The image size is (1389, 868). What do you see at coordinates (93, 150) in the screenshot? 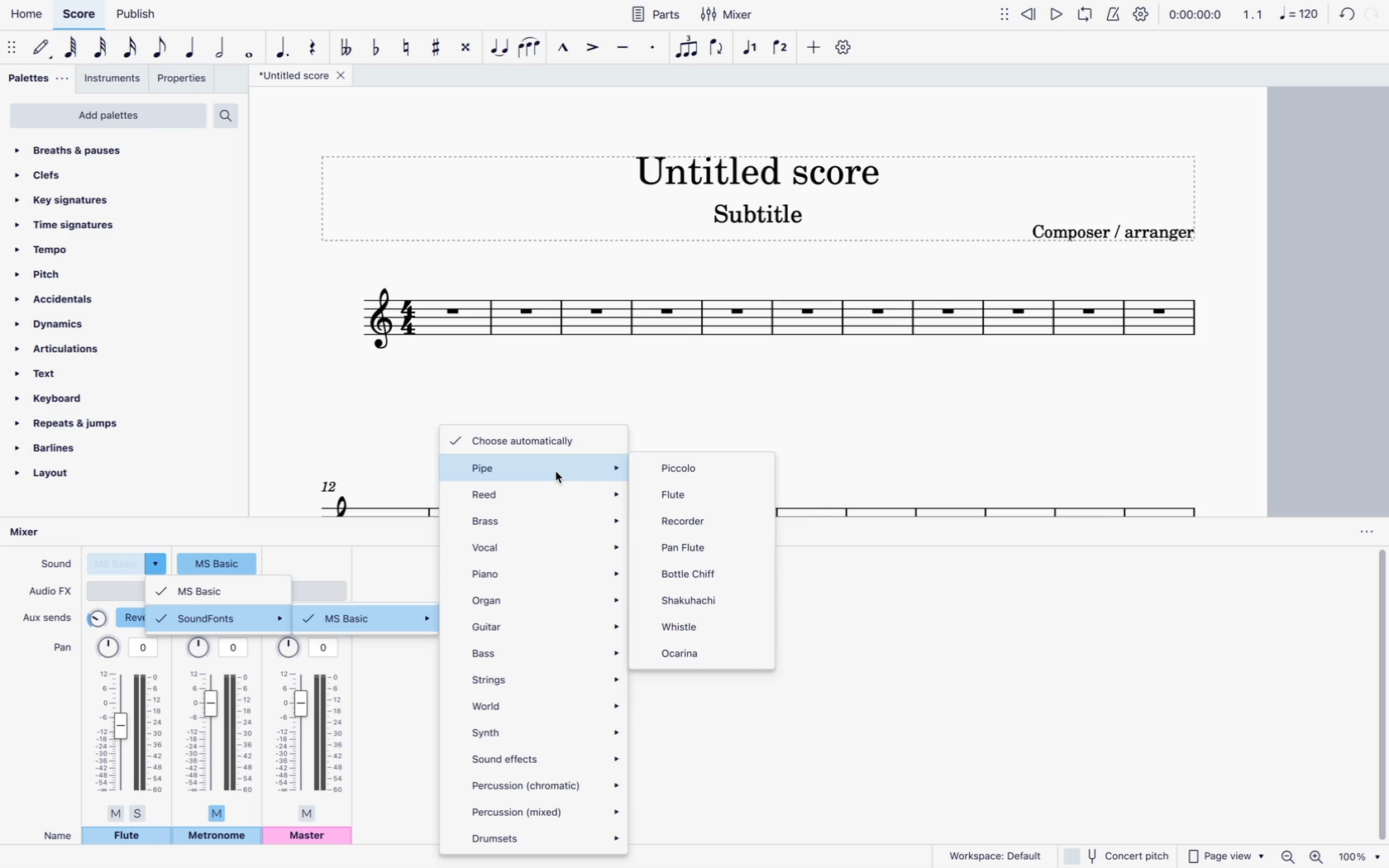
I see `breaths & pauses` at bounding box center [93, 150].